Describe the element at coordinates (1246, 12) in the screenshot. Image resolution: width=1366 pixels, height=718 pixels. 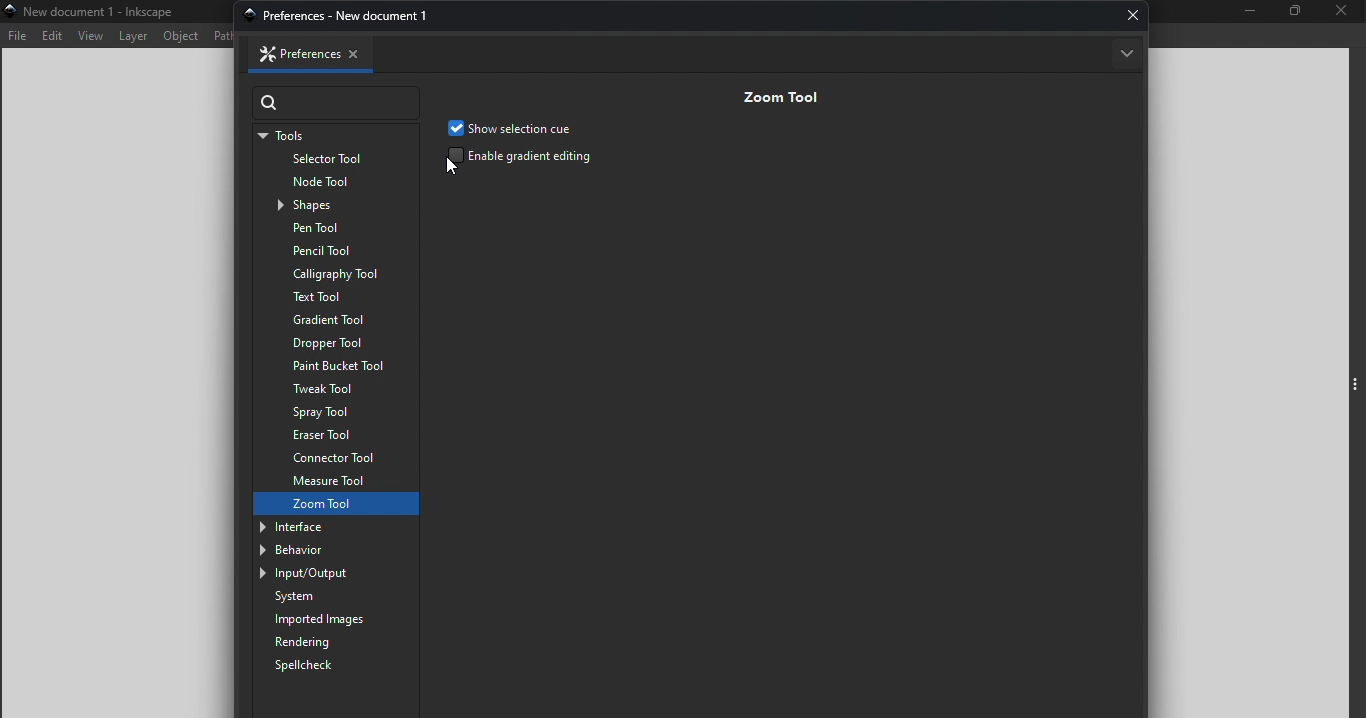
I see `Minimize` at that location.